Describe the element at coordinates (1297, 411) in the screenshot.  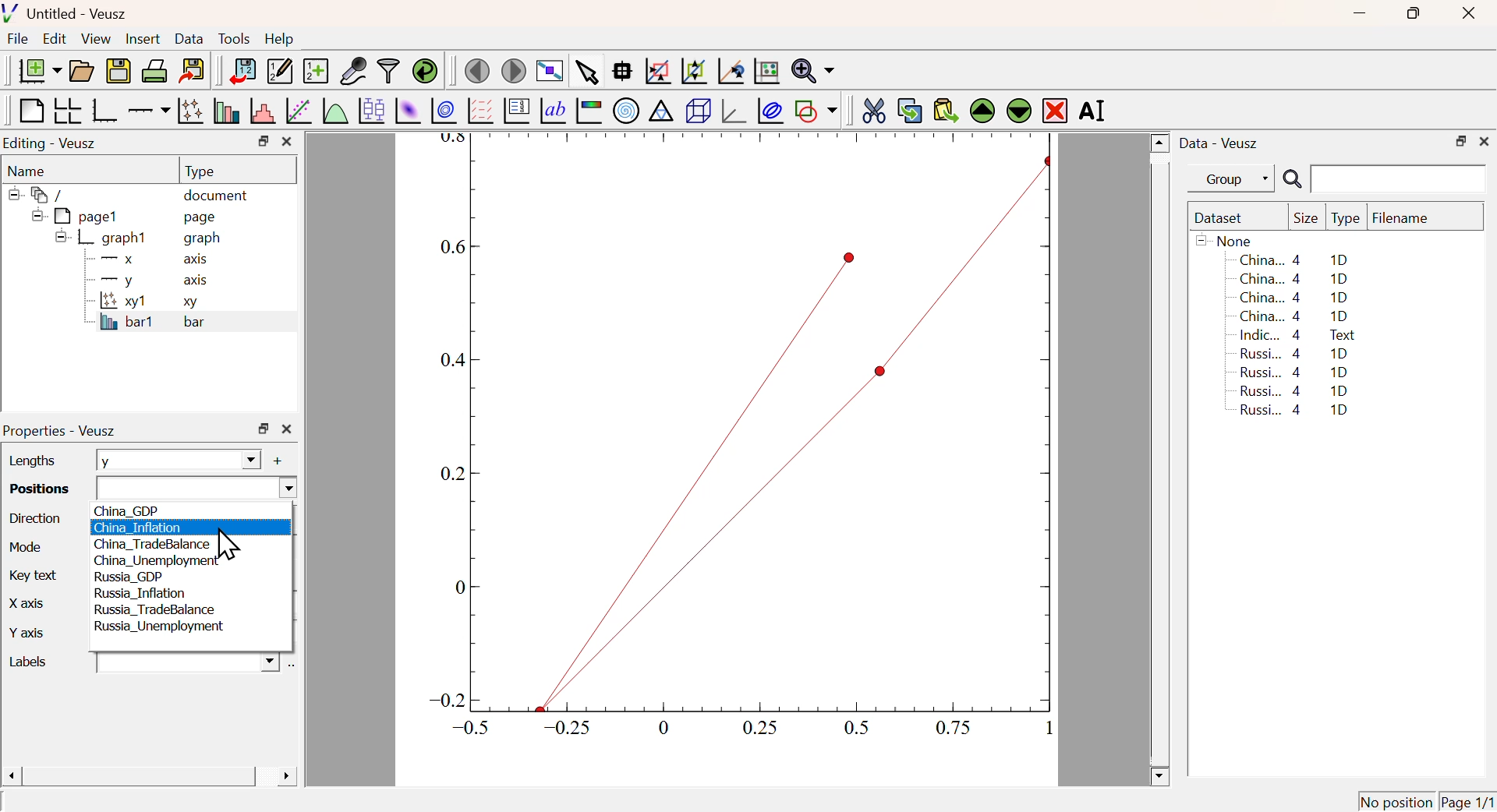
I see `Russi... 4 1D` at that location.